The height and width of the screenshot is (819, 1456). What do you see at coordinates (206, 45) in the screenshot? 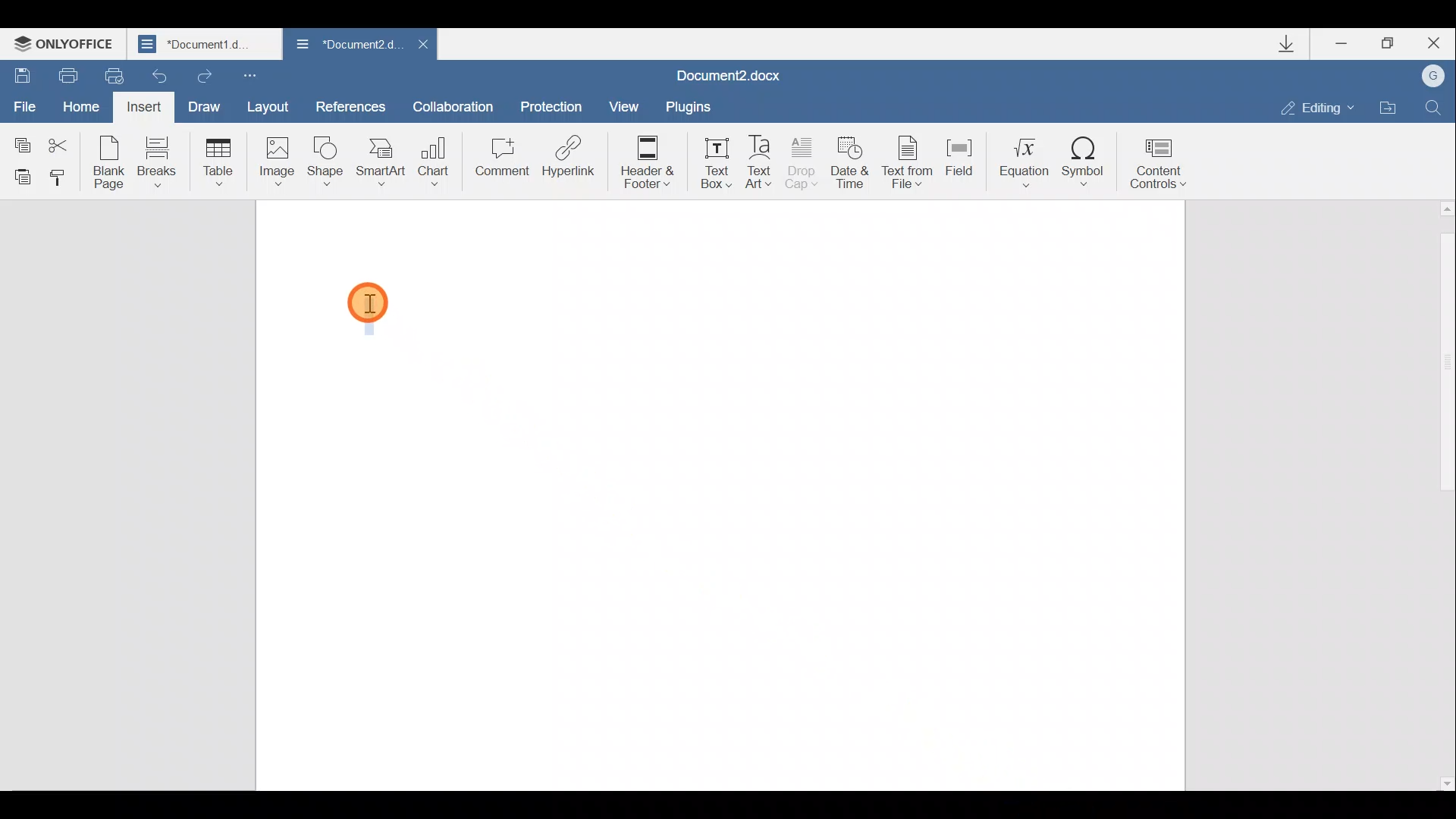
I see `*Document1.d...` at bounding box center [206, 45].